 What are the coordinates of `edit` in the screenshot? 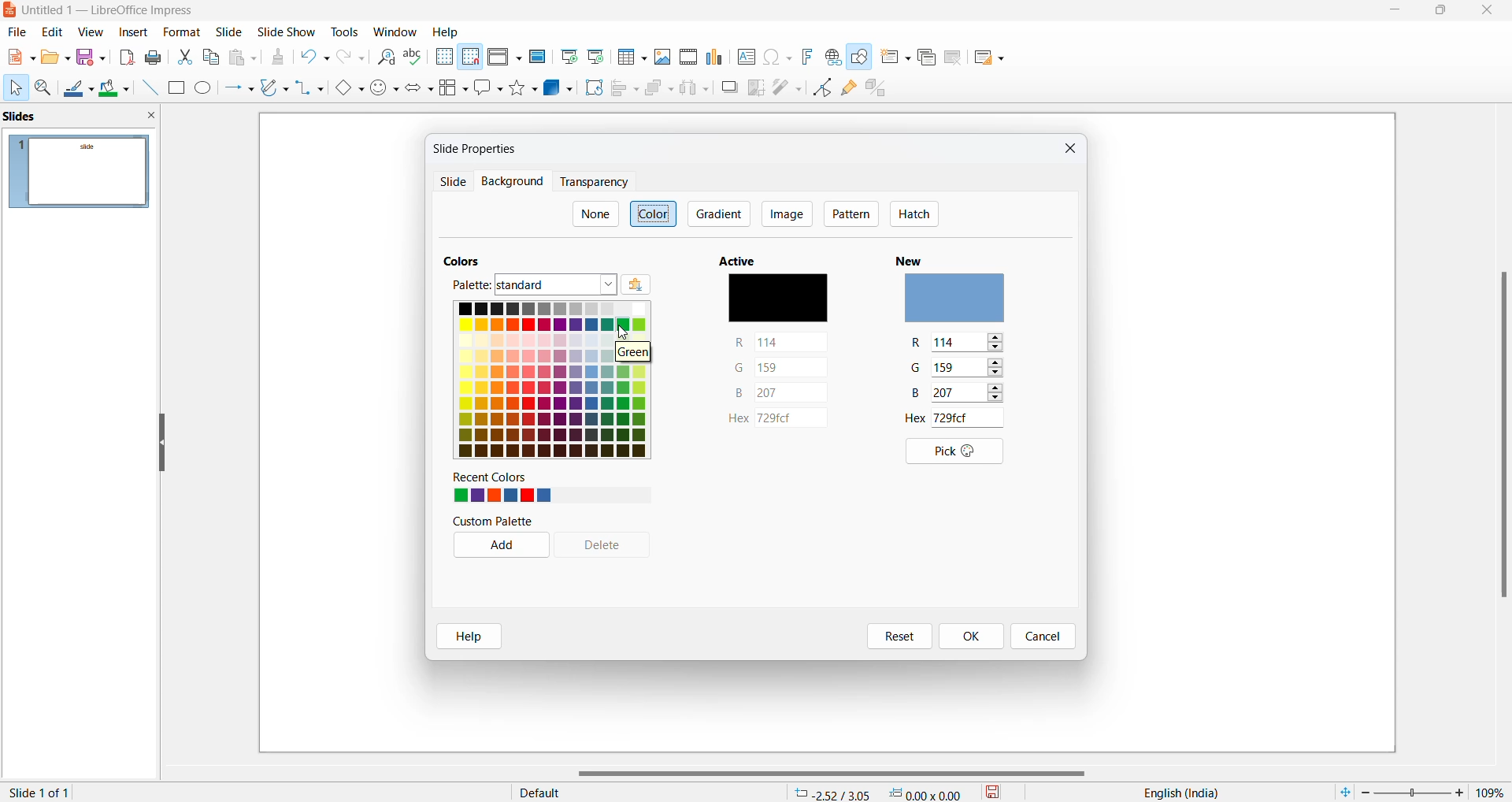 It's located at (54, 32).